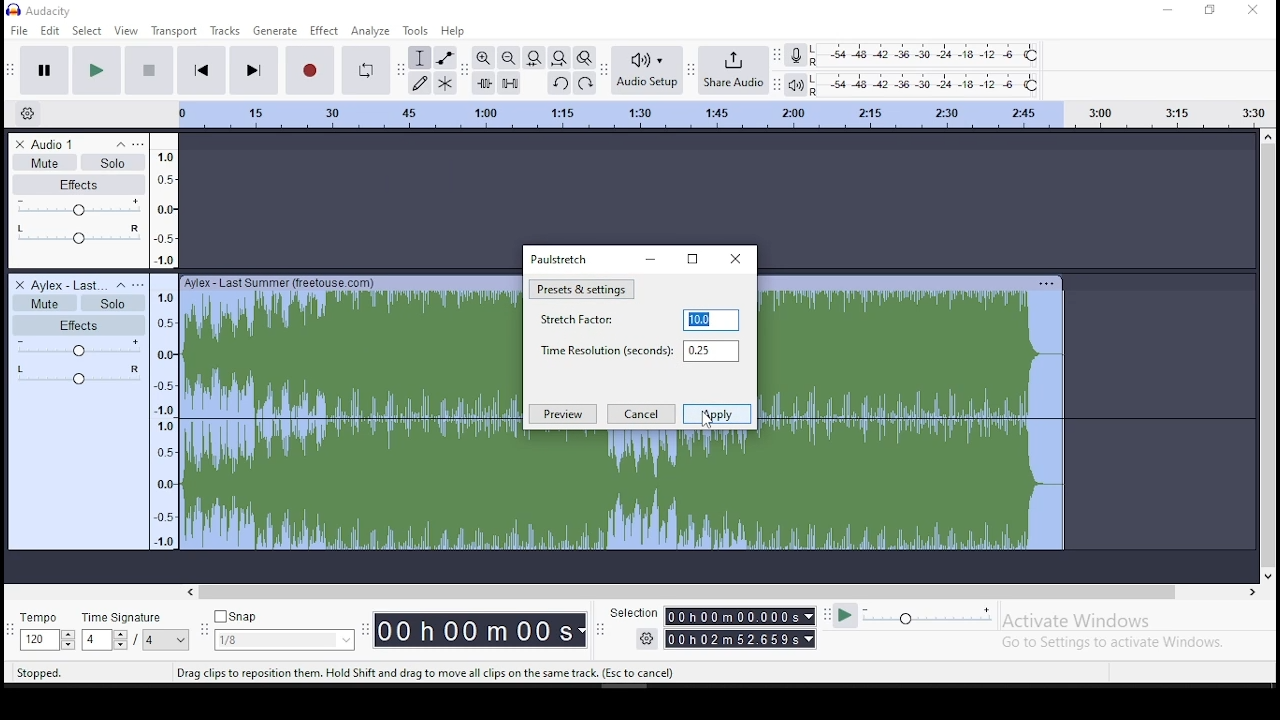 The height and width of the screenshot is (720, 1280). I want to click on icon, so click(44, 9).